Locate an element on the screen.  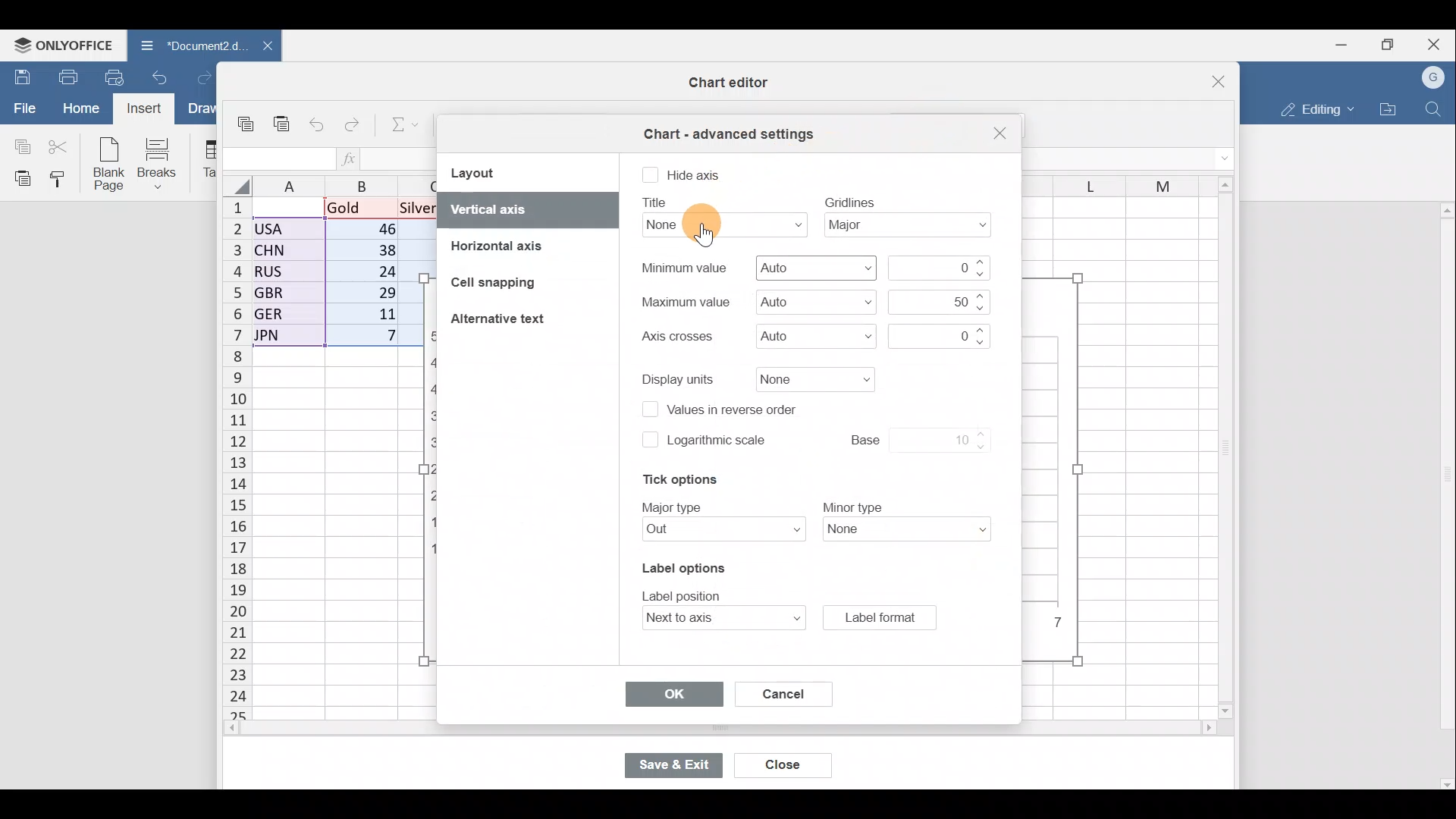
text is located at coordinates (657, 202).